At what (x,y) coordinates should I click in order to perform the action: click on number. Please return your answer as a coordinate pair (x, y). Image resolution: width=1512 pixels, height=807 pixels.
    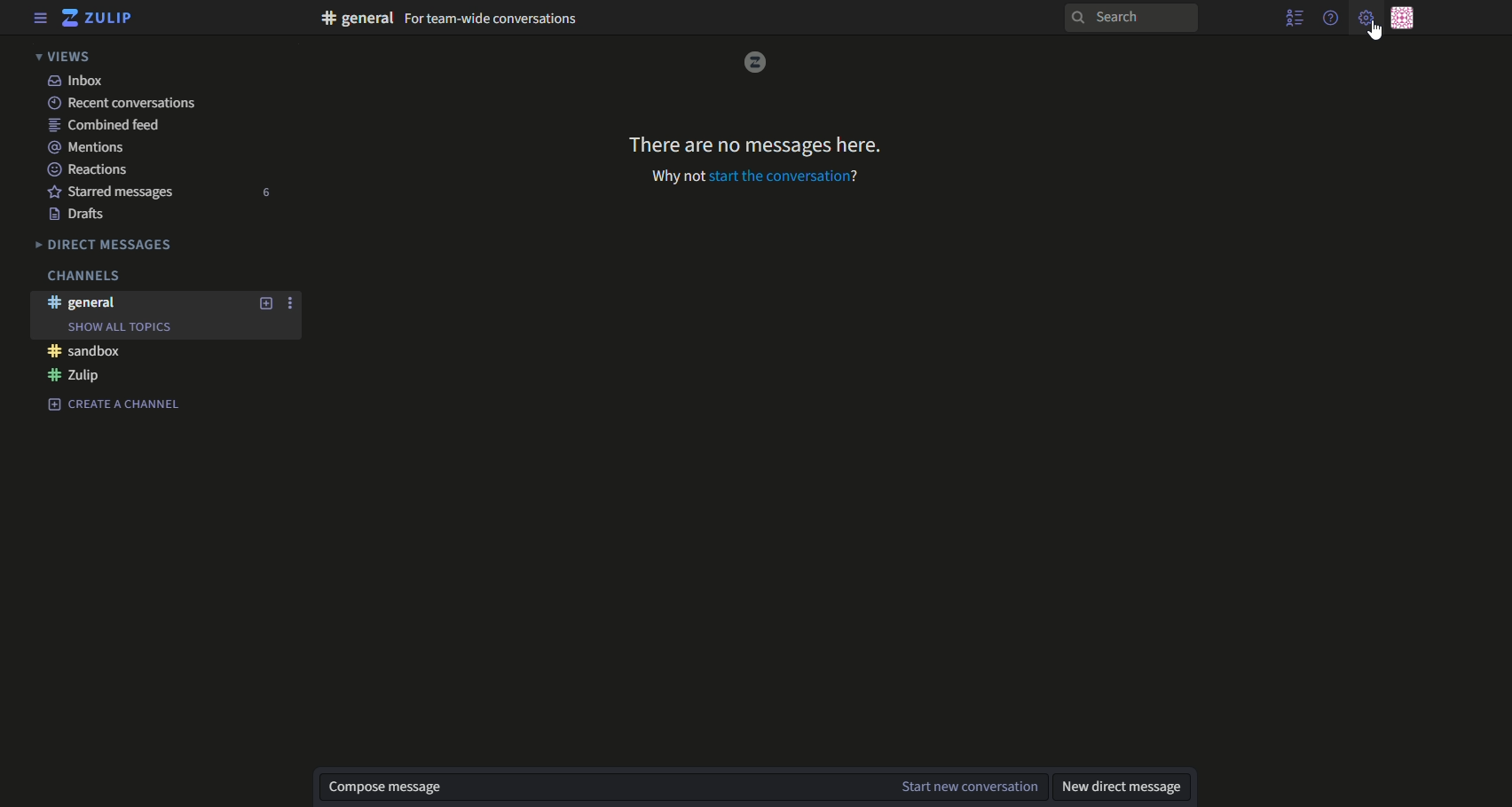
    Looking at the image, I should click on (270, 192).